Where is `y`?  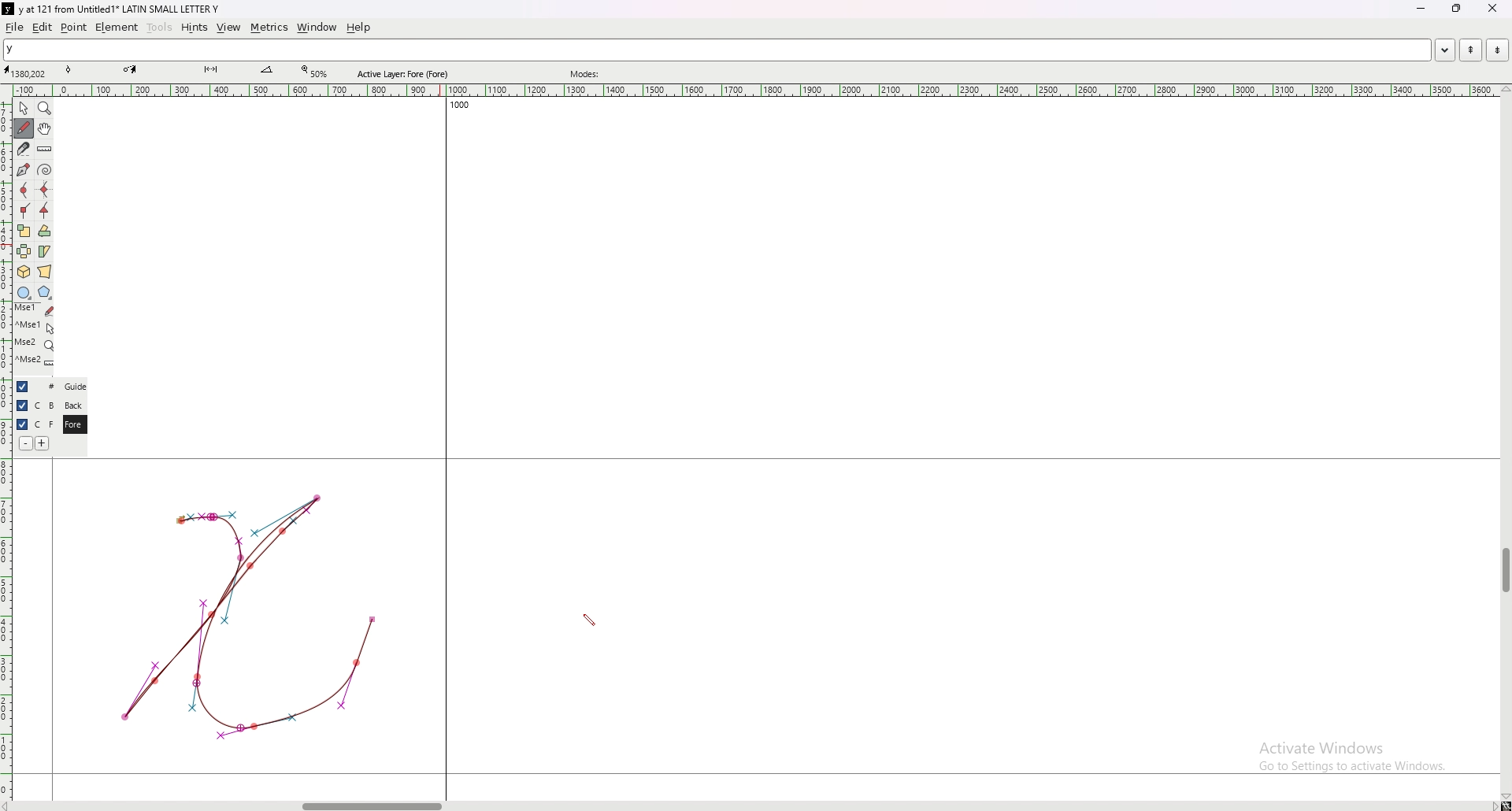
y is located at coordinates (717, 50).